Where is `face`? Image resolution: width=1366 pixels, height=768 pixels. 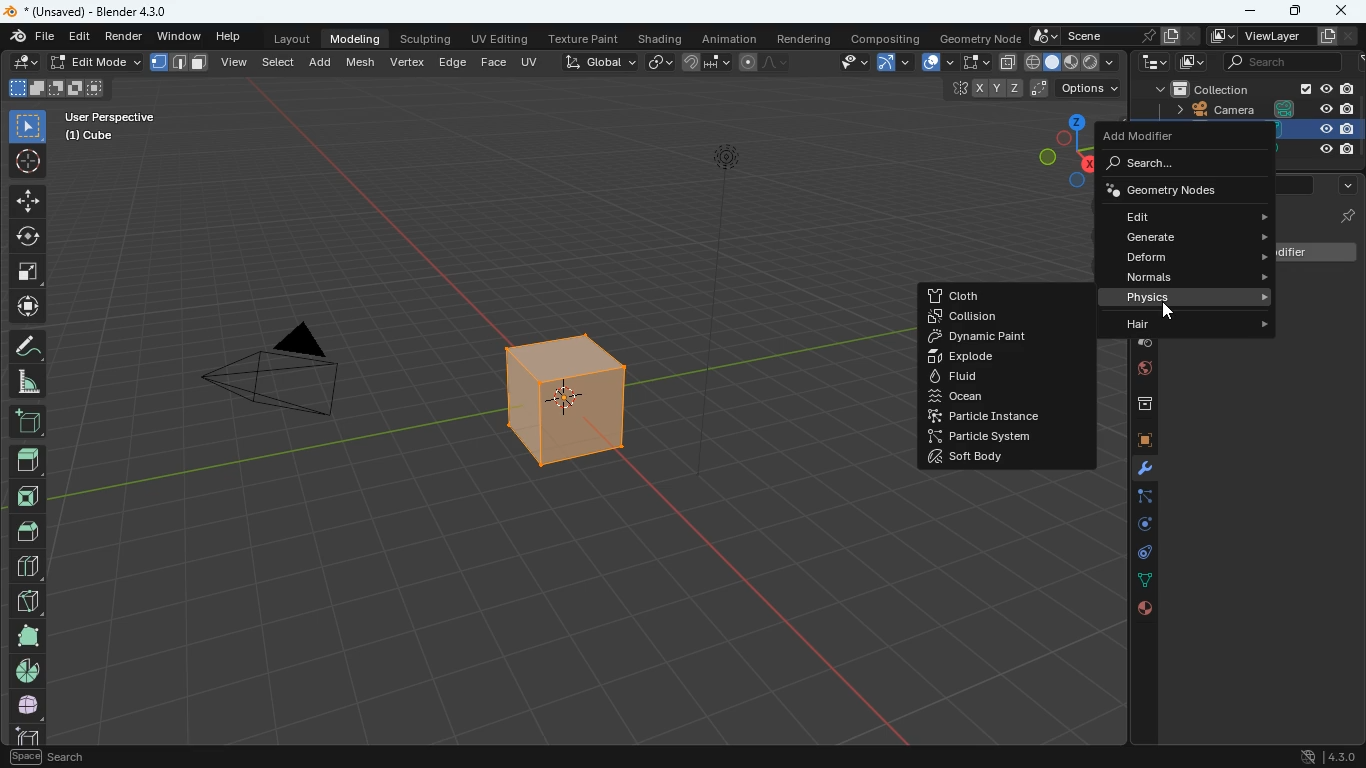
face is located at coordinates (493, 61).